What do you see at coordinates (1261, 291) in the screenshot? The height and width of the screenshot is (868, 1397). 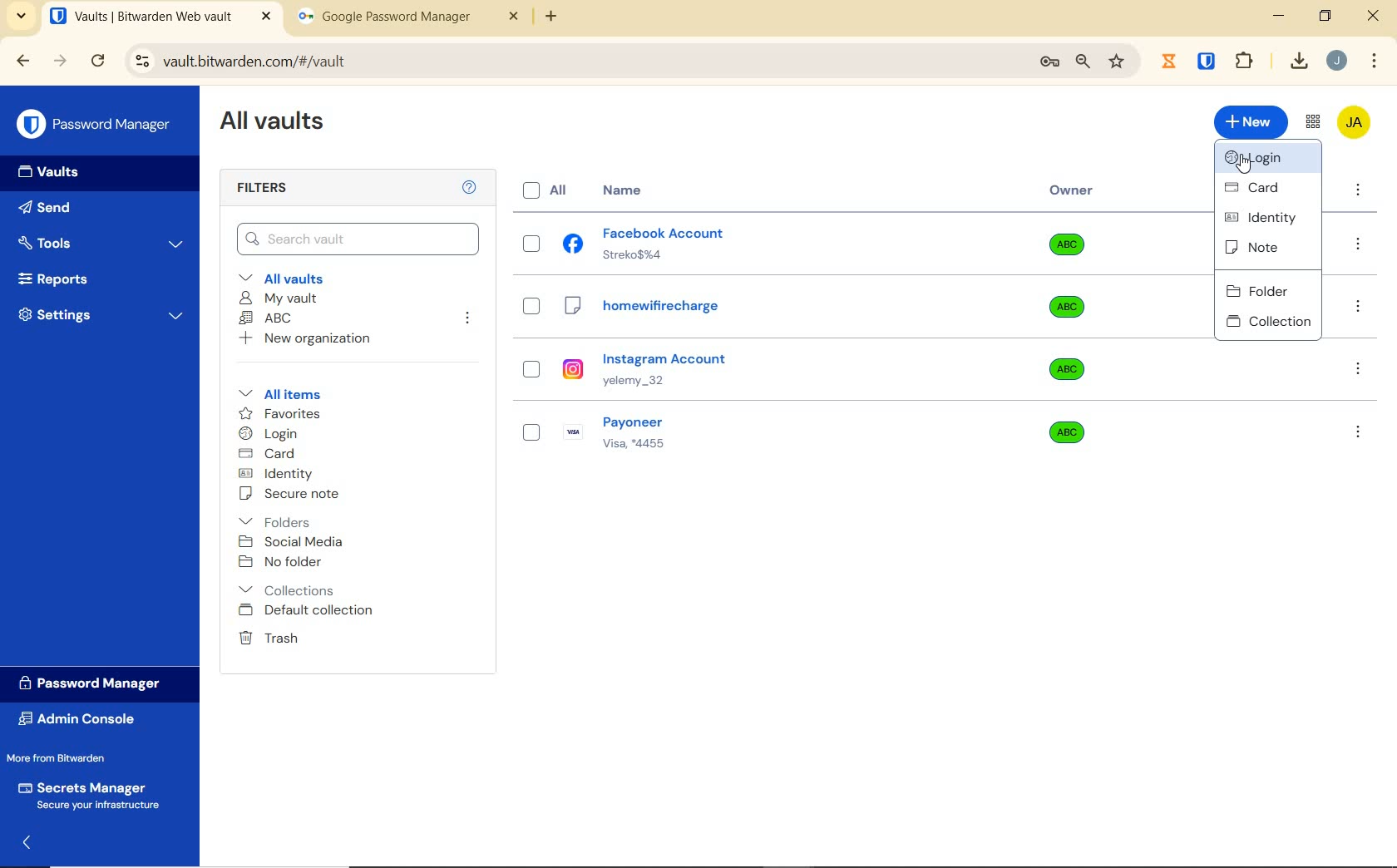 I see `folder` at bounding box center [1261, 291].